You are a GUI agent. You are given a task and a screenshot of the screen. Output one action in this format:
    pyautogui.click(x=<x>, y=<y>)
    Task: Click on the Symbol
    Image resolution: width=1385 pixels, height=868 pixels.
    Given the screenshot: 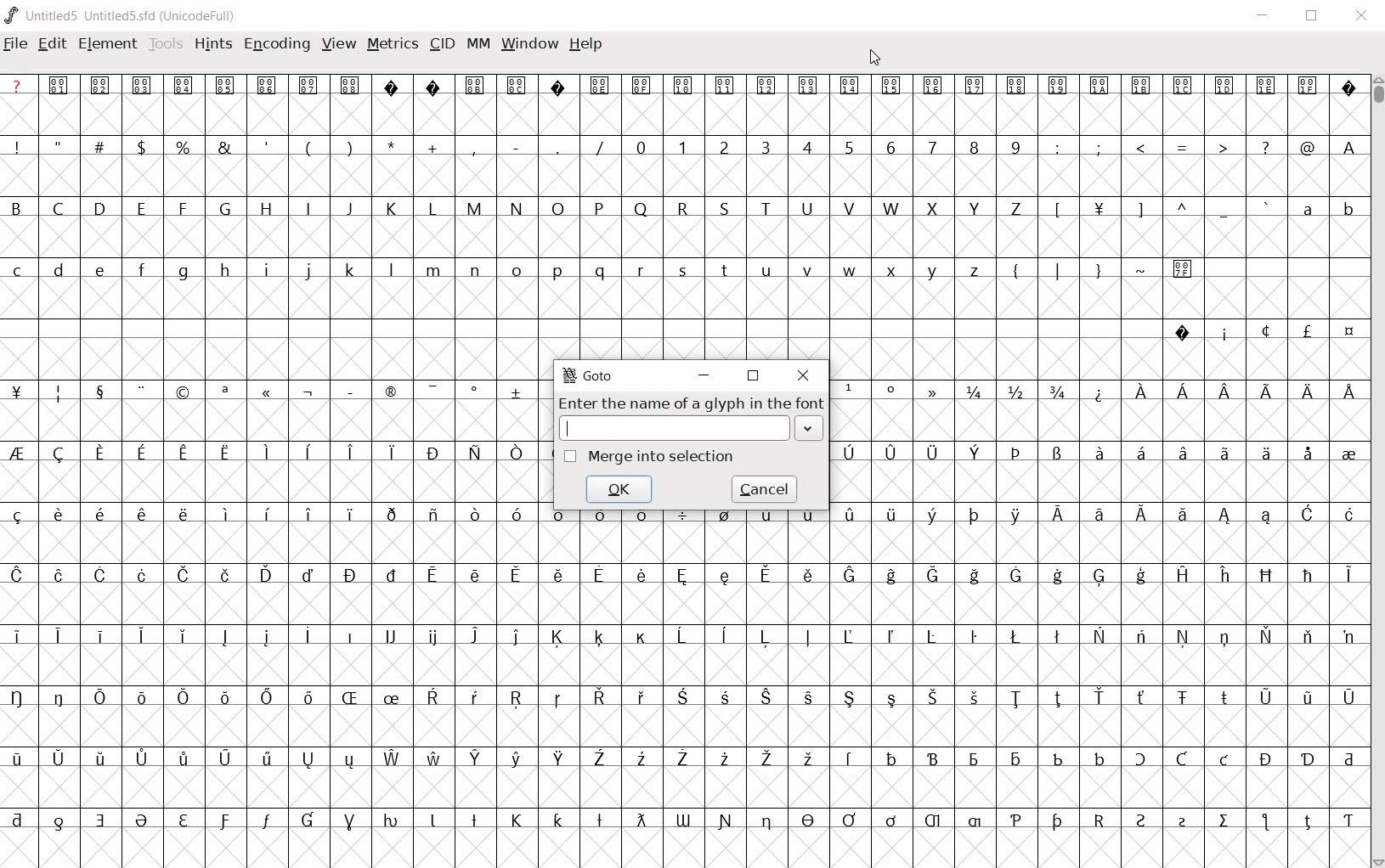 What is the action you would take?
    pyautogui.click(x=349, y=454)
    